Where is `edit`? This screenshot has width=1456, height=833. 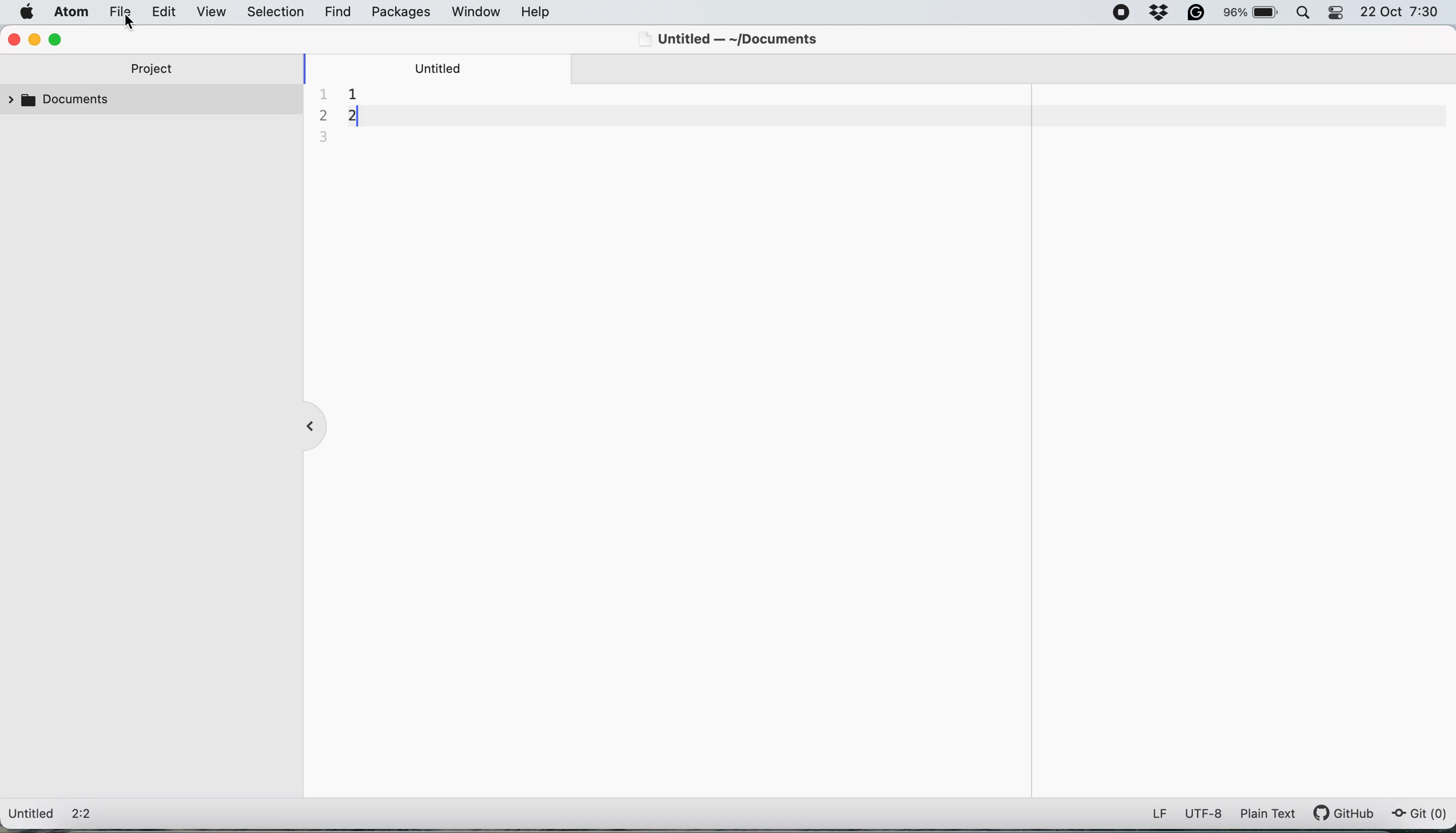 edit is located at coordinates (168, 12).